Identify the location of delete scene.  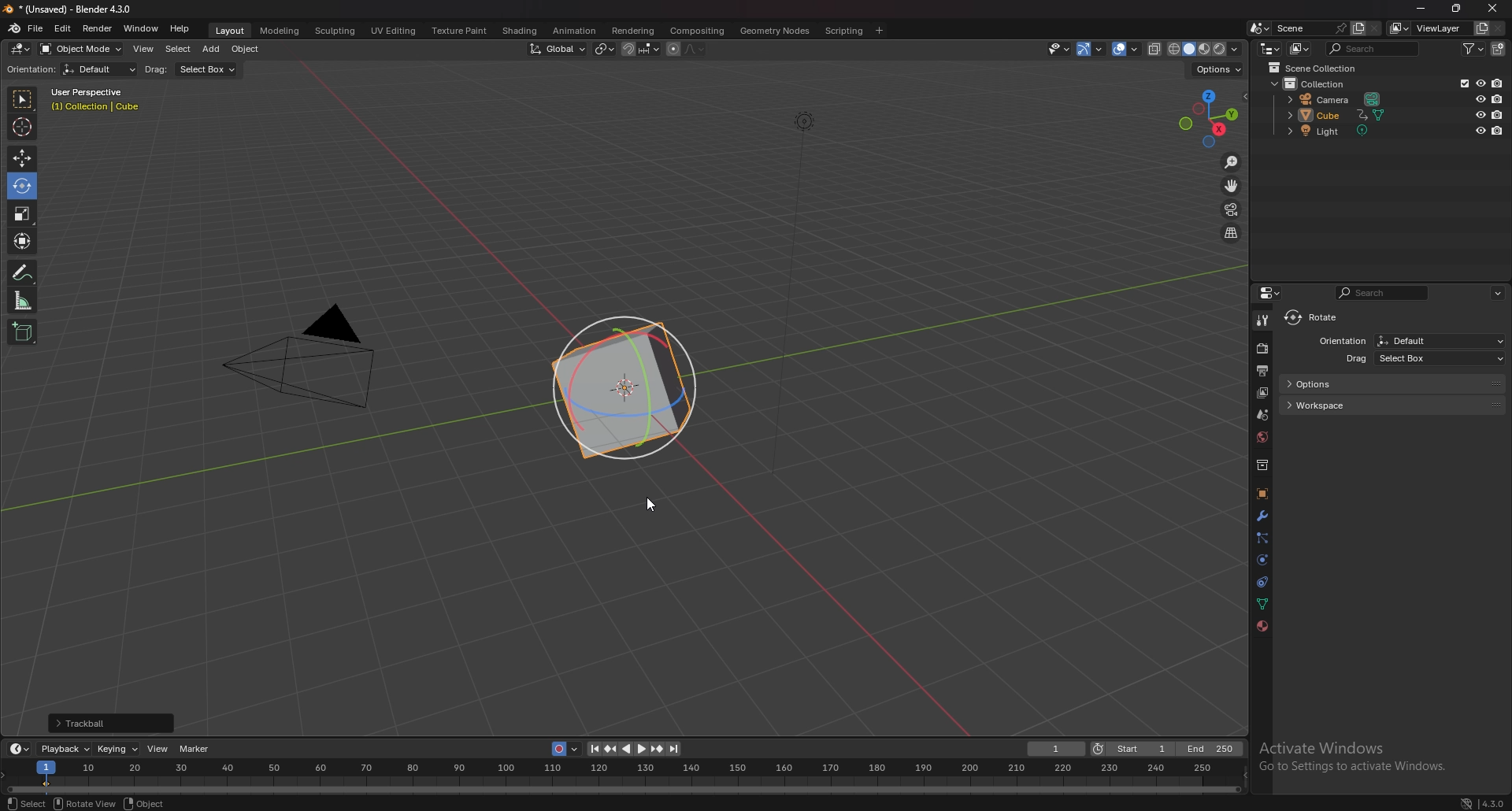
(1374, 28).